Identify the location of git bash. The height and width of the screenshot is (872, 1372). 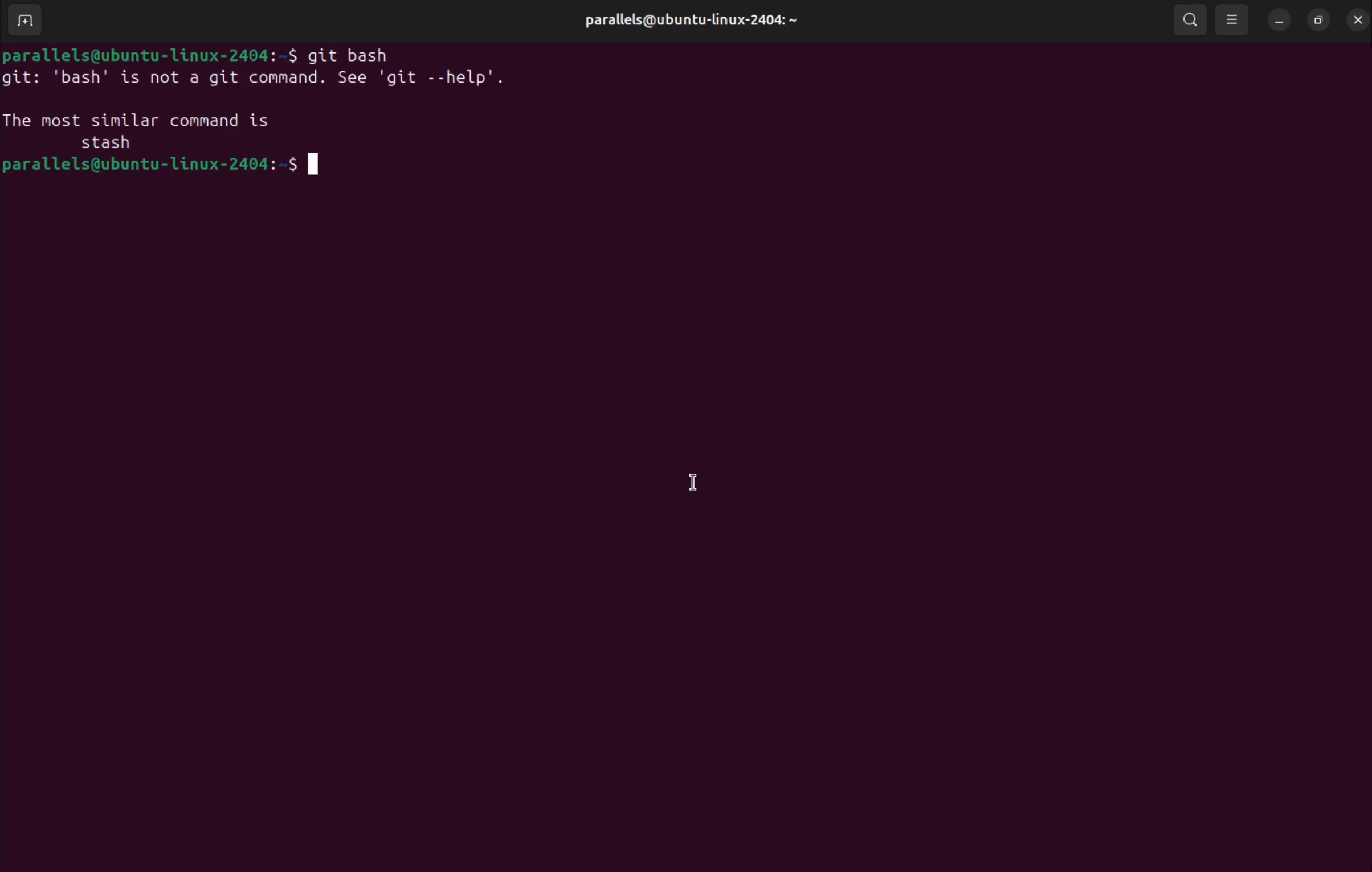
(351, 54).